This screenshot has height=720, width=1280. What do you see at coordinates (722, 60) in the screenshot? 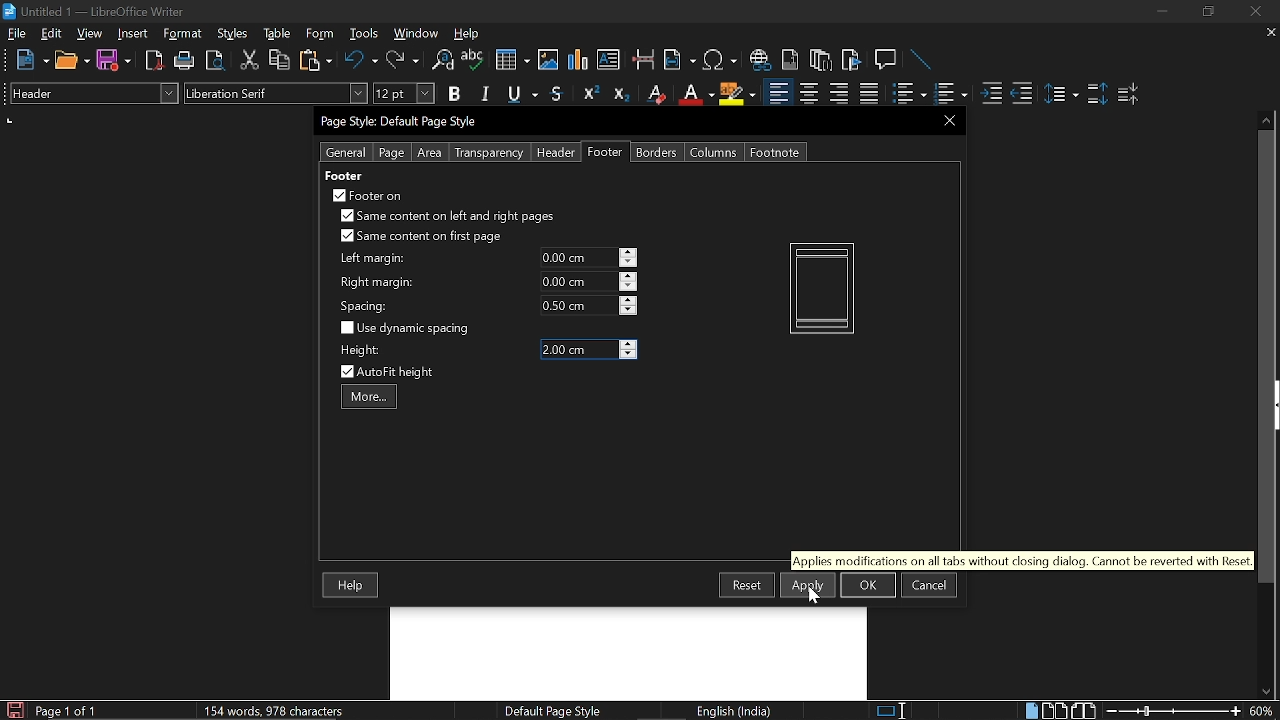
I see `Insert symbol` at bounding box center [722, 60].